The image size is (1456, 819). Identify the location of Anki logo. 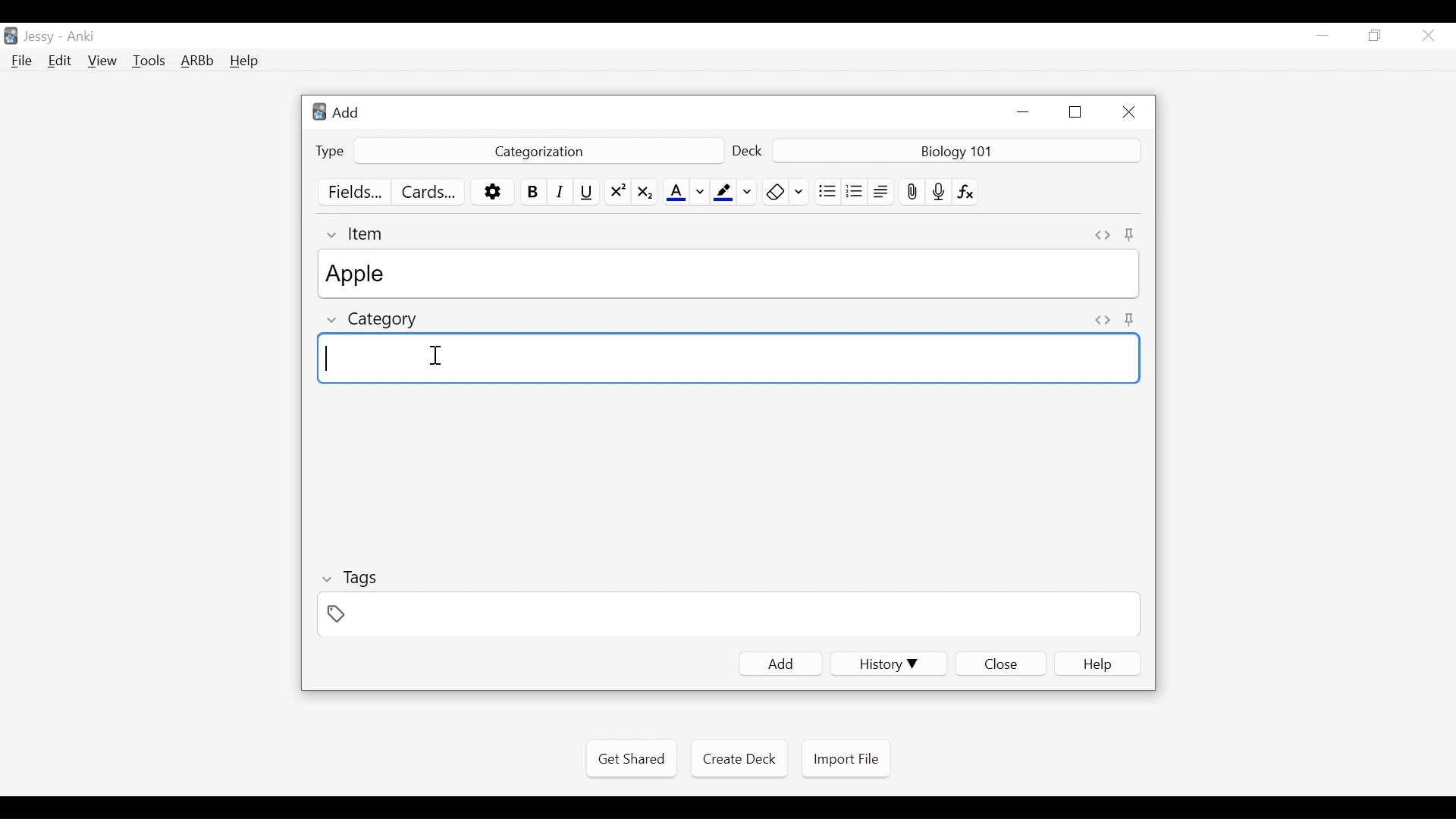
(320, 112).